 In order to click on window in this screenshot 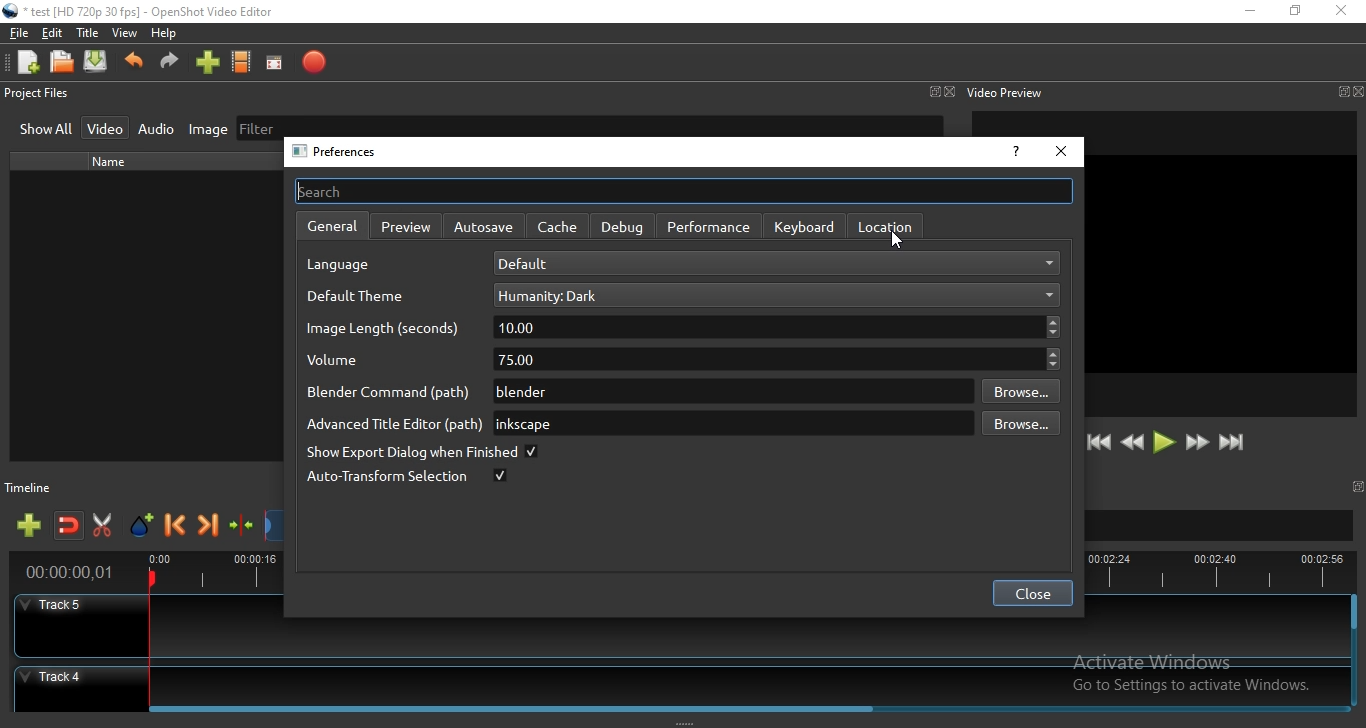, I will do `click(1341, 92)`.